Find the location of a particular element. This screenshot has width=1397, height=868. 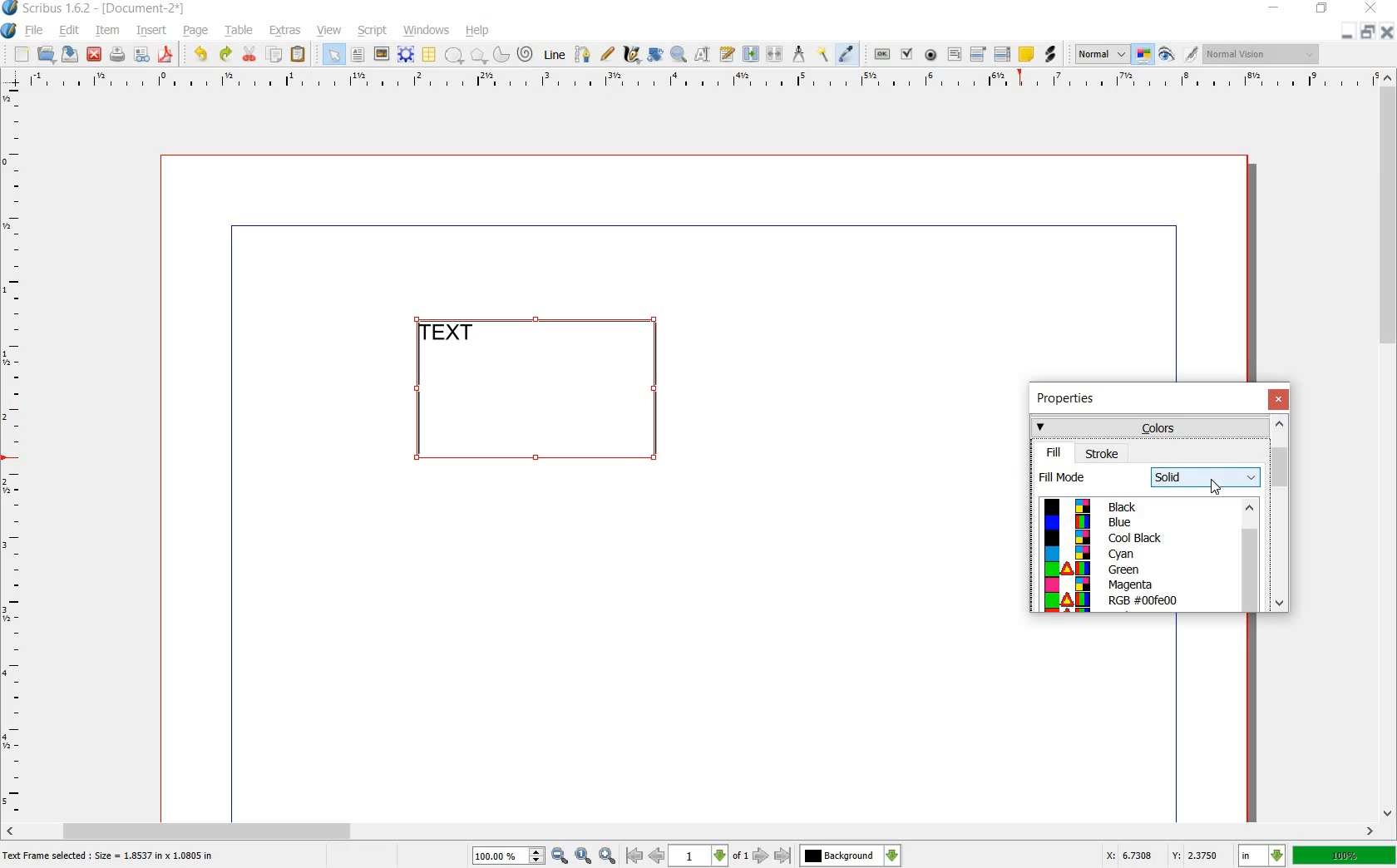

solid is located at coordinates (1207, 477).